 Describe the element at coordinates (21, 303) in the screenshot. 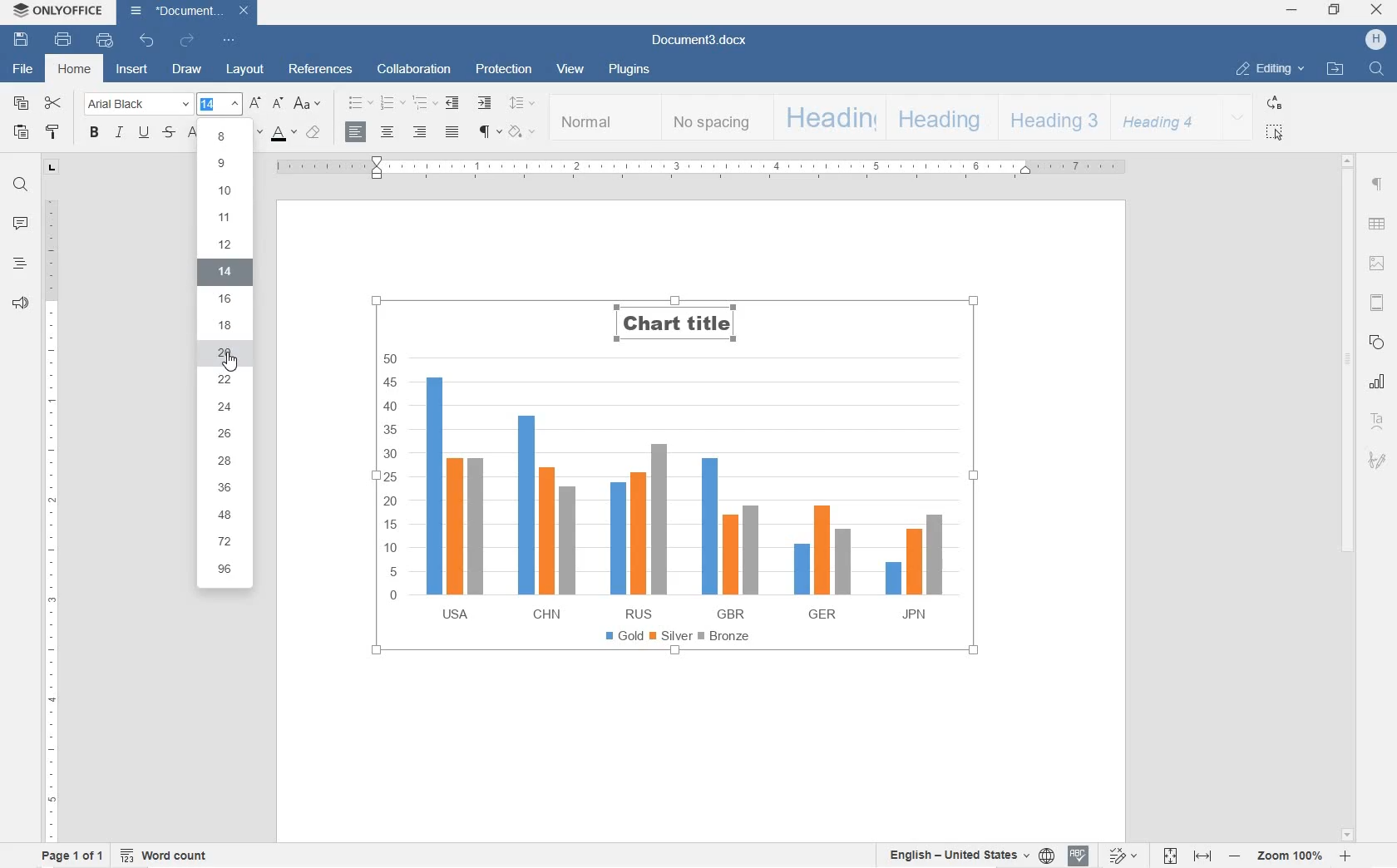

I see `FEEDBACK & SUPPORT` at that location.